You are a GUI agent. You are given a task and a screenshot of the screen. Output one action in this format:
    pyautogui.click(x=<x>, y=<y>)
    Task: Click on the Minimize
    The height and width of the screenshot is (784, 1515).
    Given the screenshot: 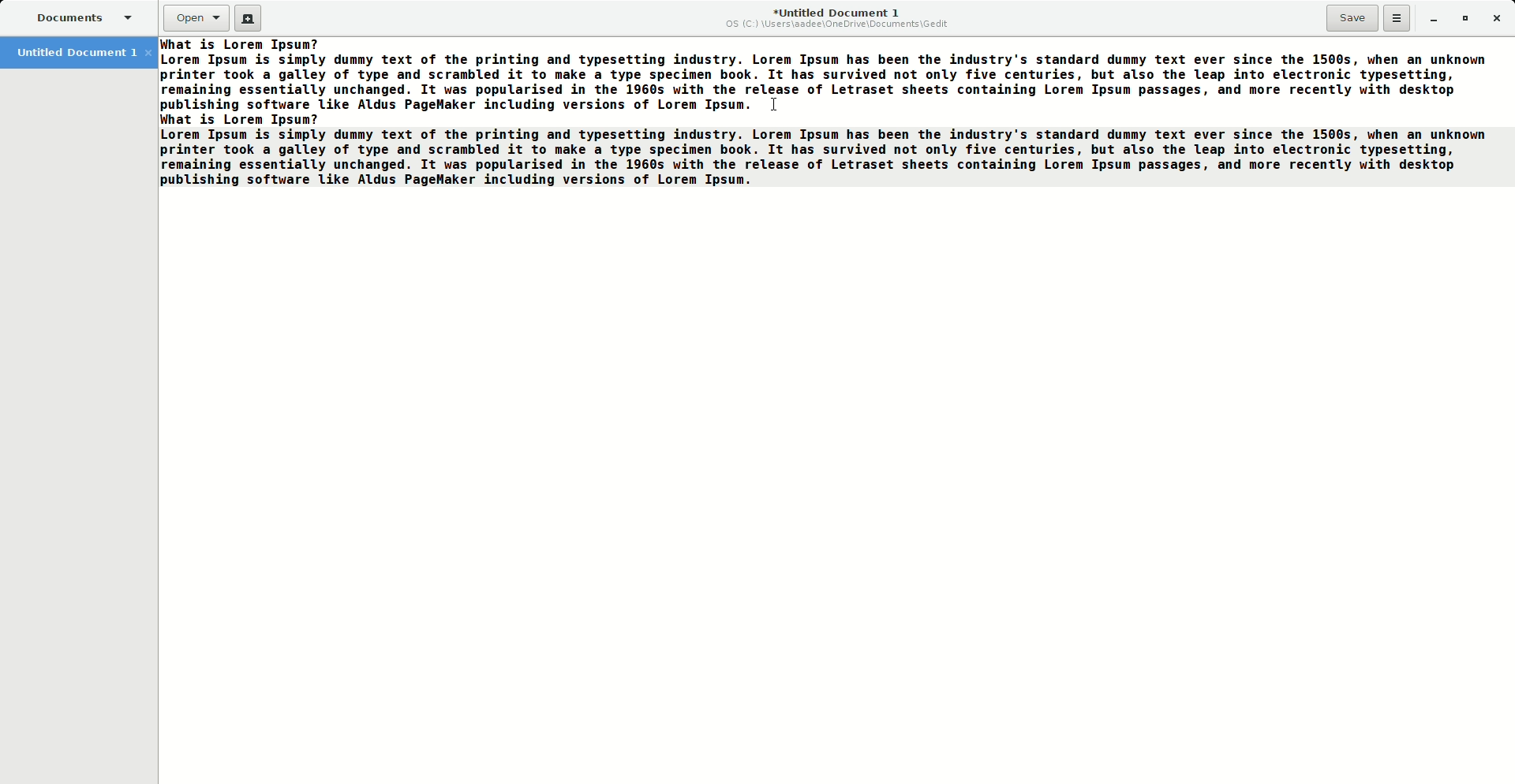 What is the action you would take?
    pyautogui.click(x=1428, y=18)
    